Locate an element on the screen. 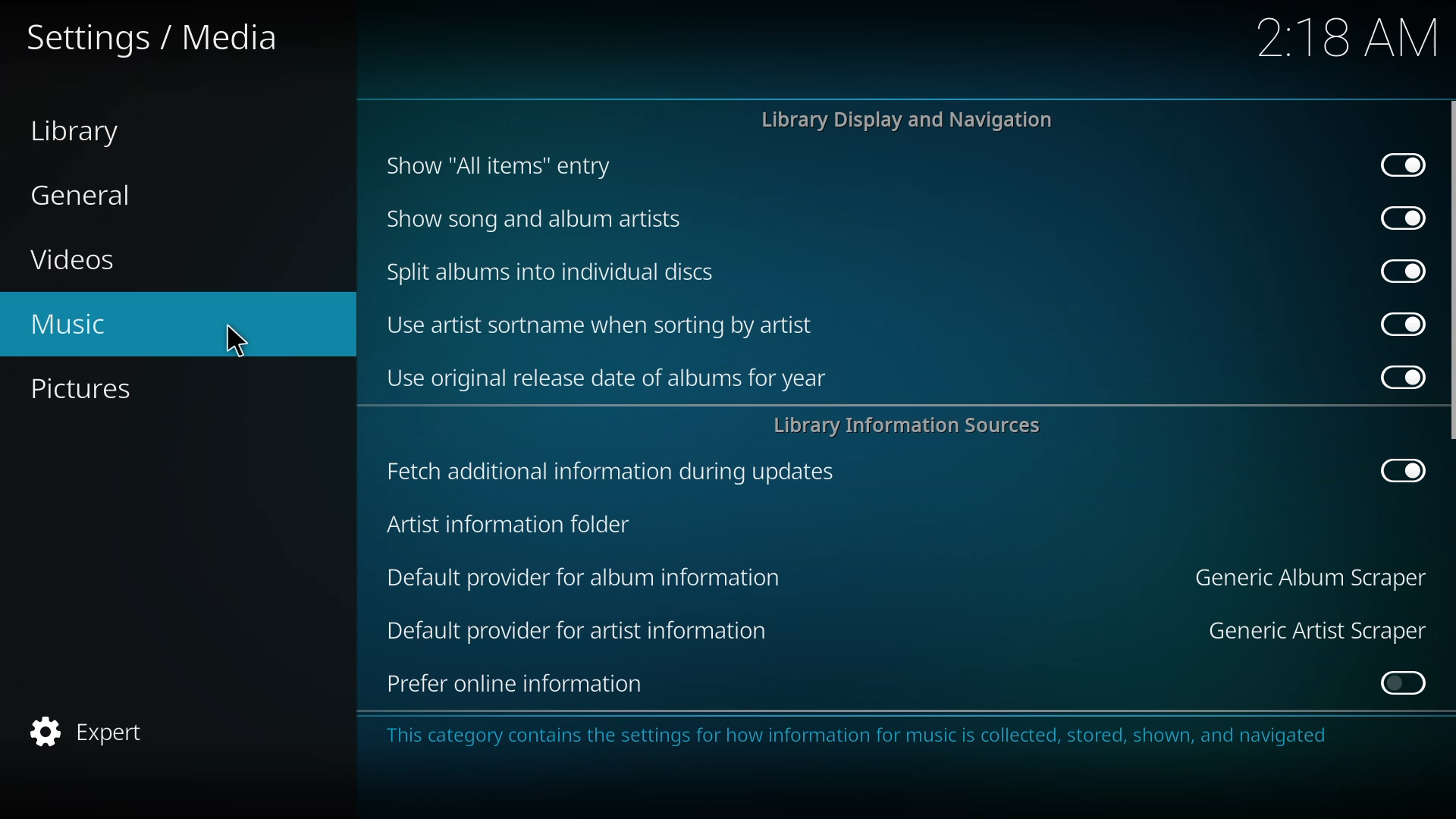  fetch additional info during updates is located at coordinates (615, 470).